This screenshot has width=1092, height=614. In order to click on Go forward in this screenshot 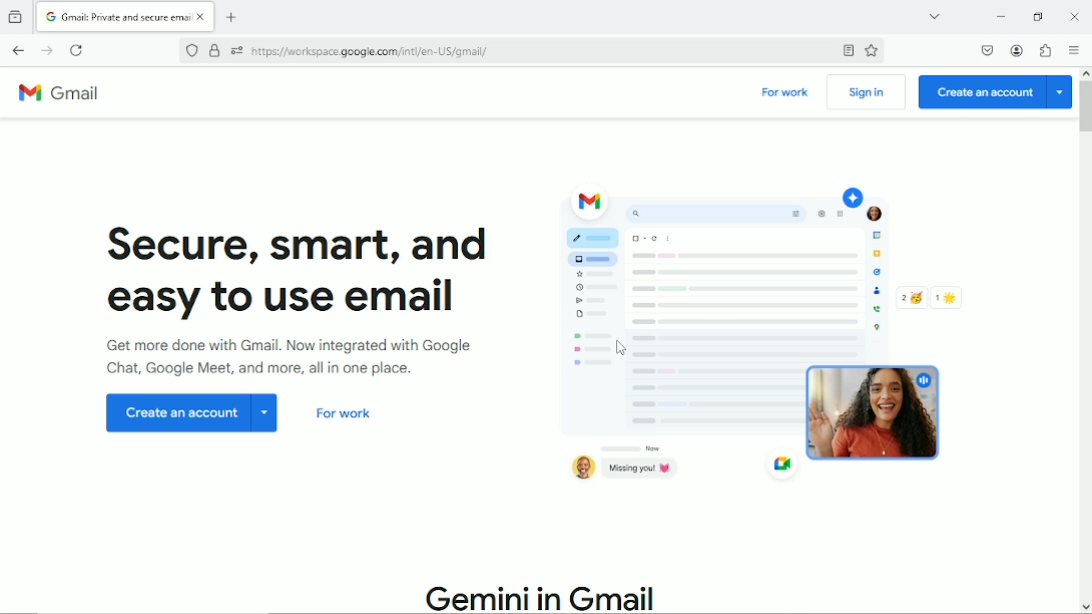, I will do `click(47, 51)`.